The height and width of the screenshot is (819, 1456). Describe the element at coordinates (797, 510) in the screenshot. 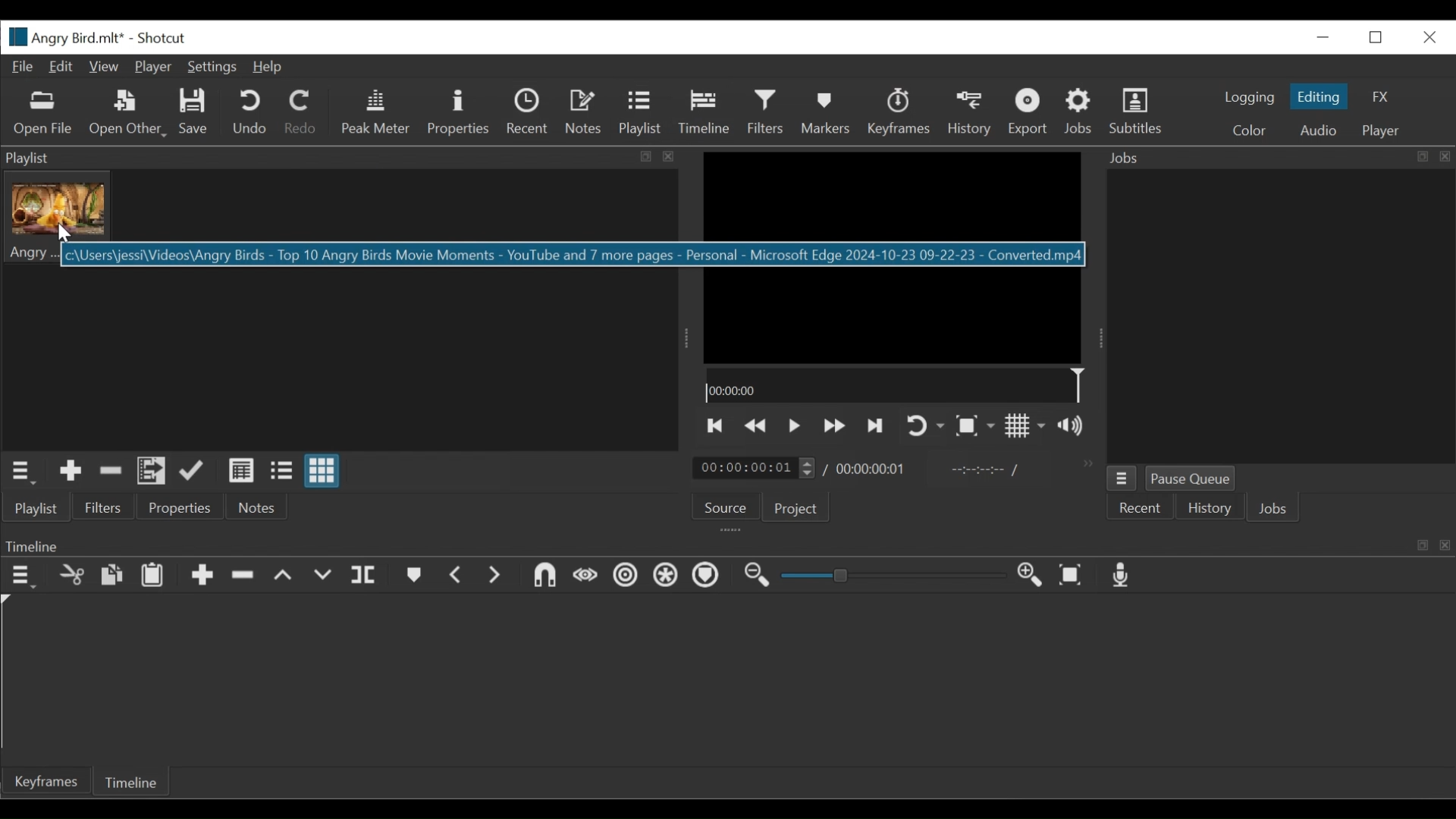

I see `Project` at that location.